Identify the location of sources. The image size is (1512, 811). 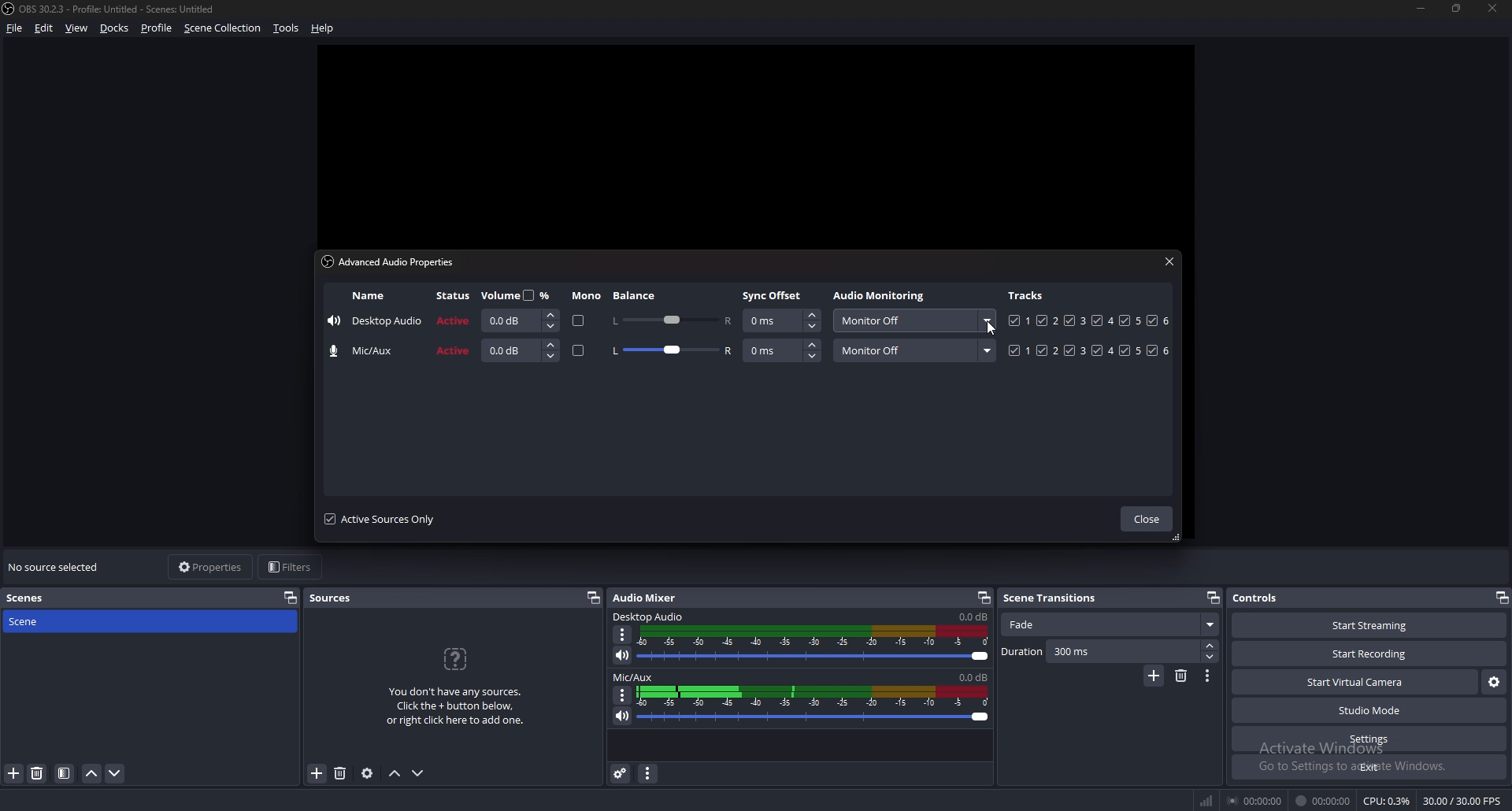
(337, 598).